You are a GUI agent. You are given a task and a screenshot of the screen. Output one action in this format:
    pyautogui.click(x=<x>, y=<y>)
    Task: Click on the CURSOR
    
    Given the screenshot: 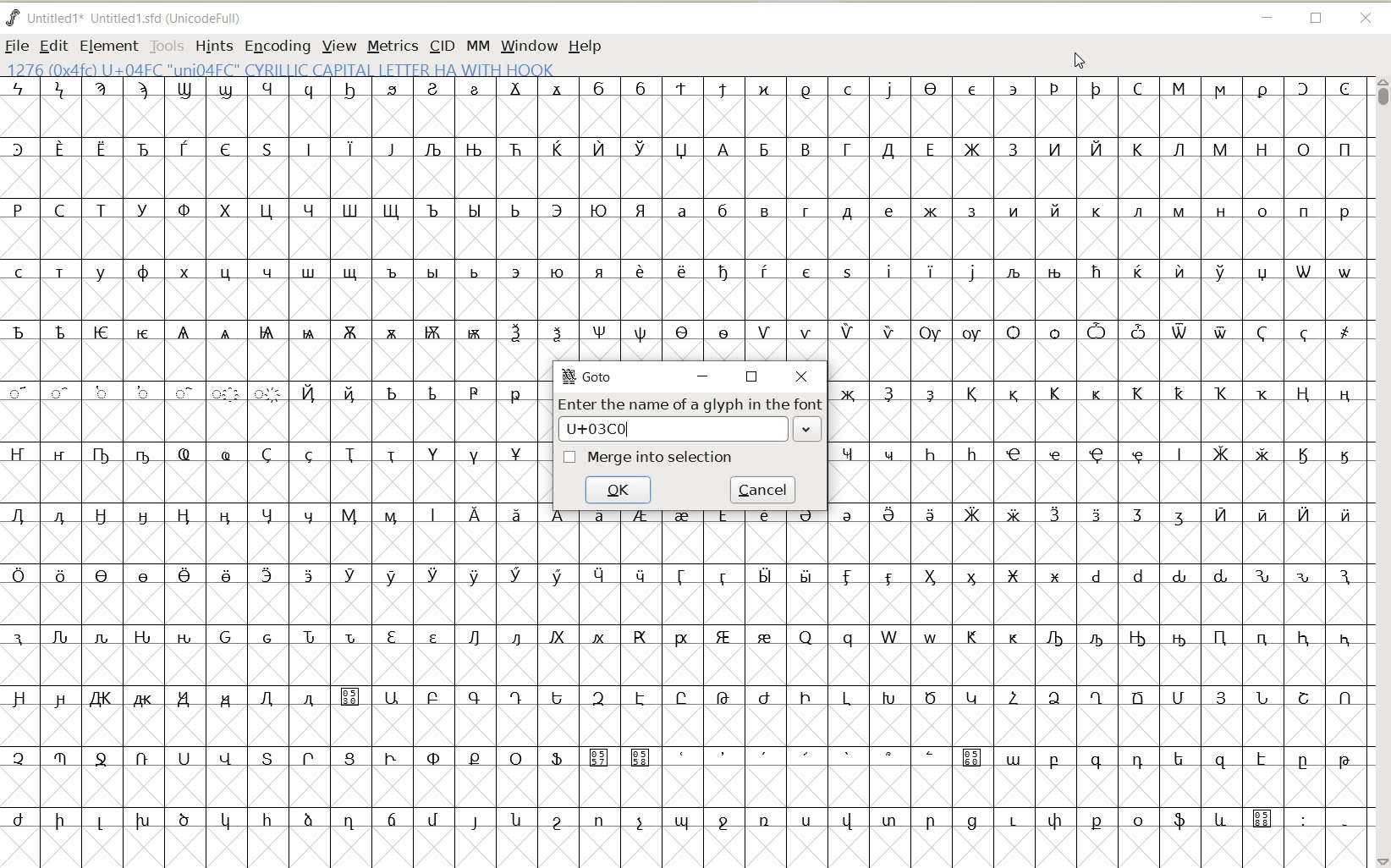 What is the action you would take?
    pyautogui.click(x=1080, y=60)
    